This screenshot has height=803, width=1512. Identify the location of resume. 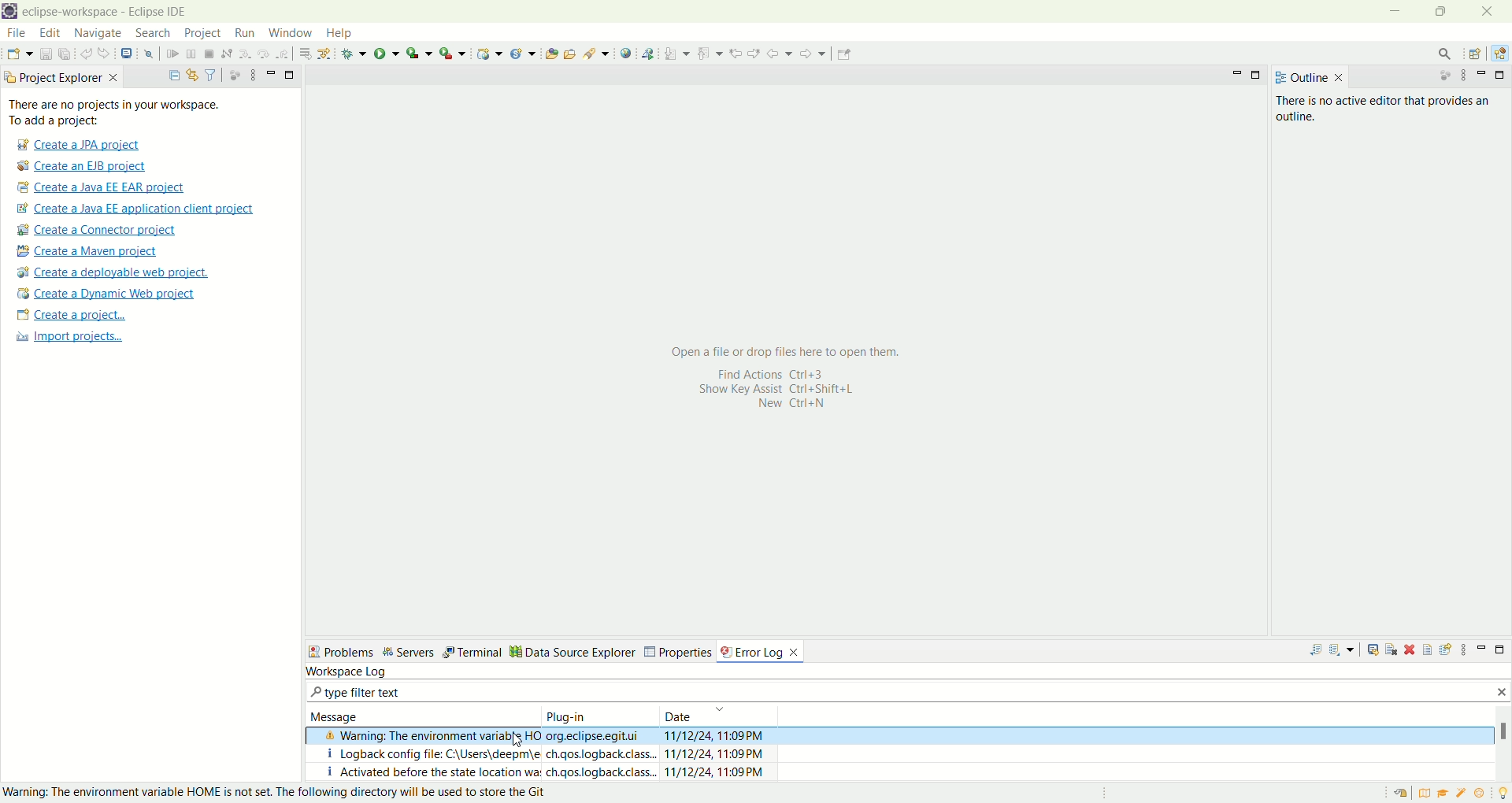
(172, 53).